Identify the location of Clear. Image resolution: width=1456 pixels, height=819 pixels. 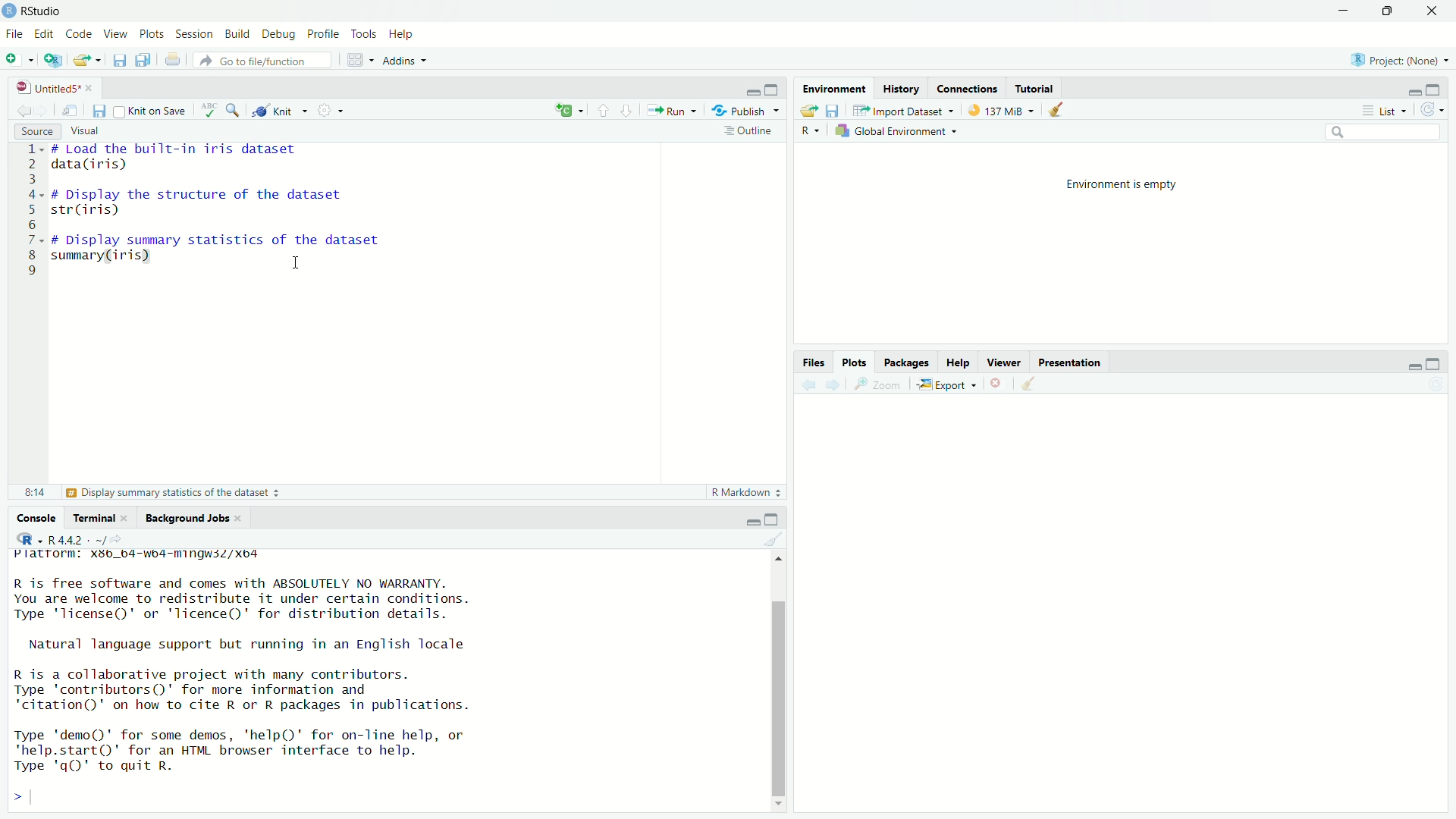
(1059, 110).